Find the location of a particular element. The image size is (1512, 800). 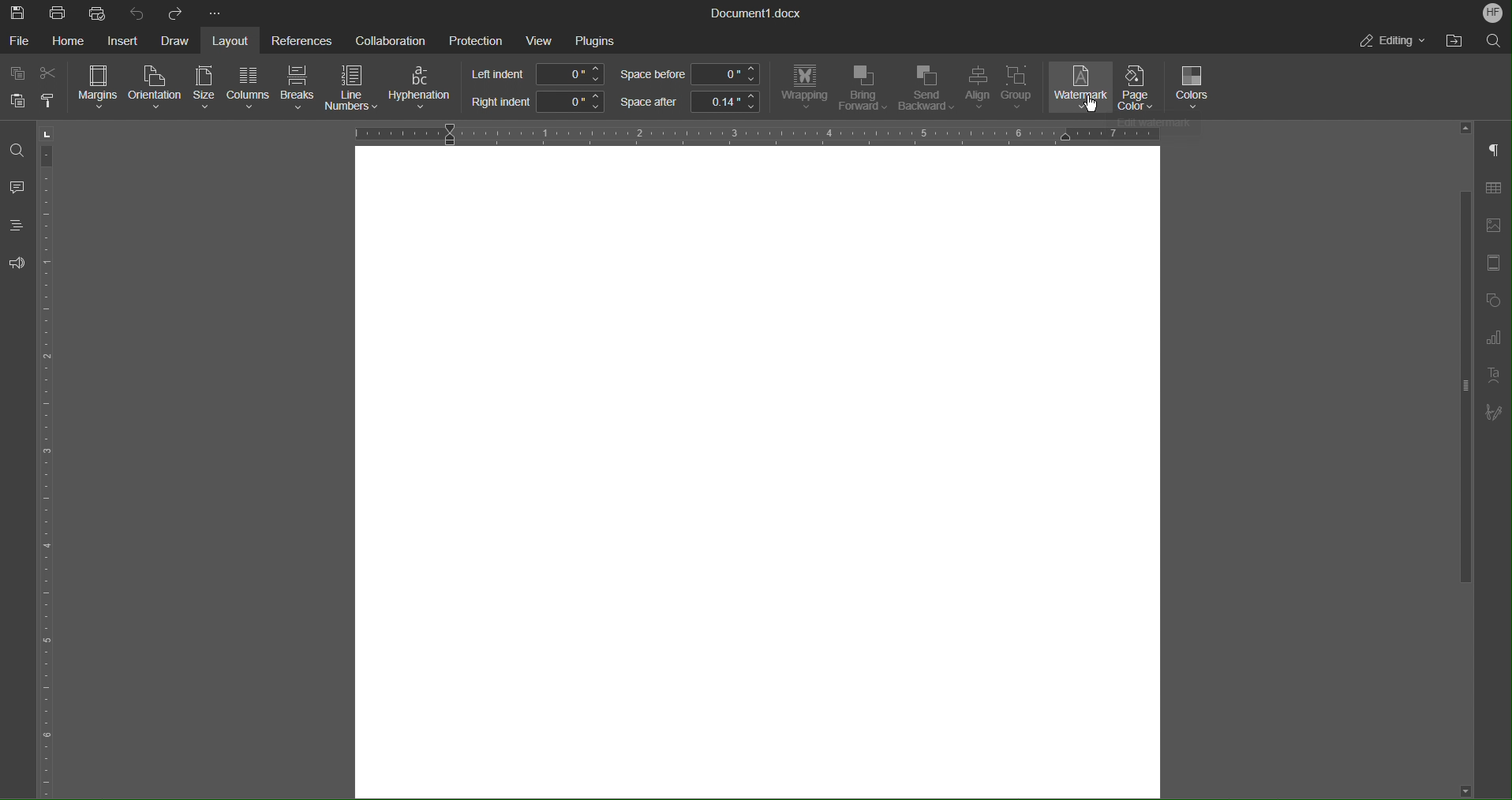

Home is located at coordinates (71, 41).